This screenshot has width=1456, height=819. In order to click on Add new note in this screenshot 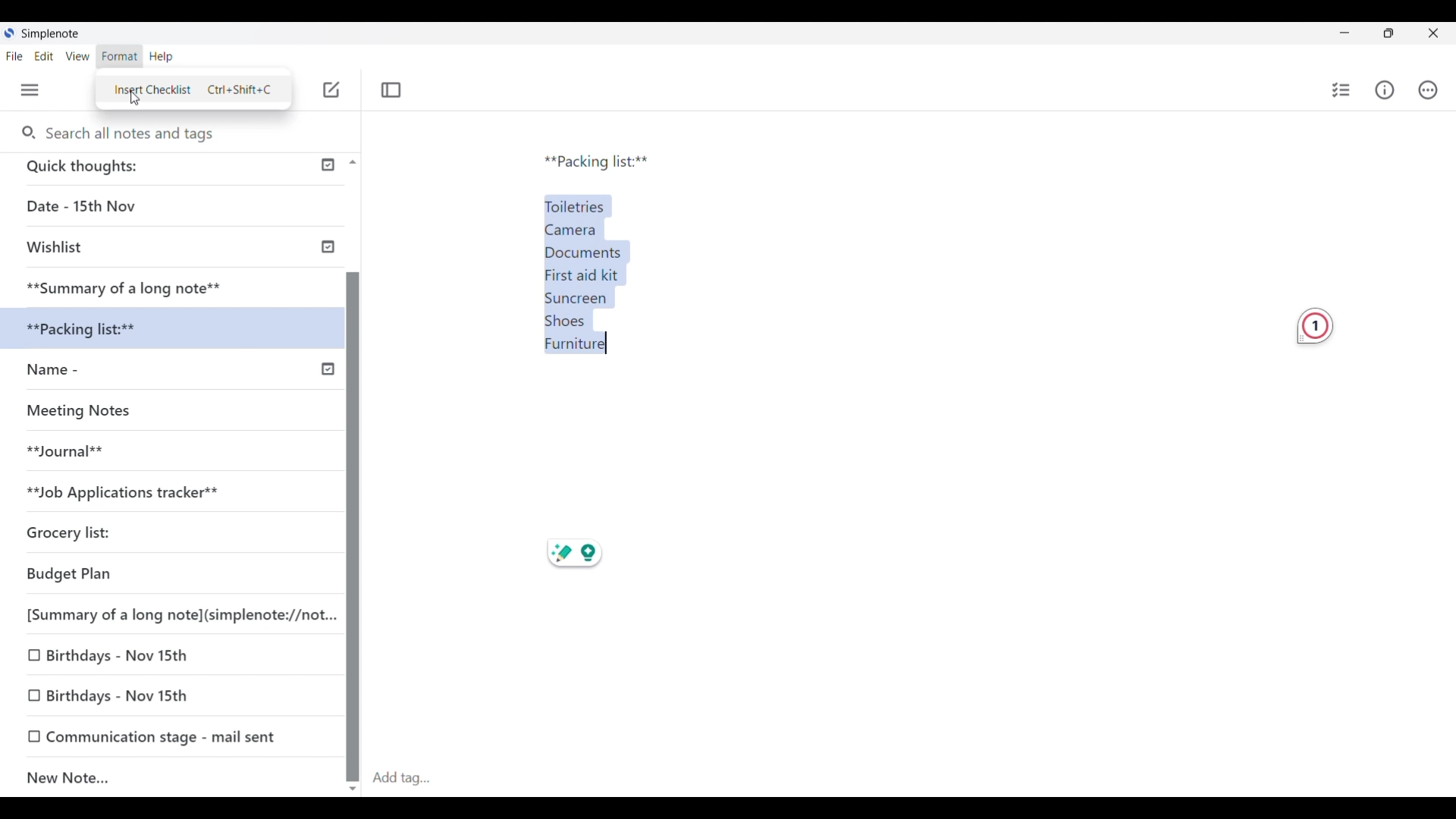, I will do `click(331, 89)`.